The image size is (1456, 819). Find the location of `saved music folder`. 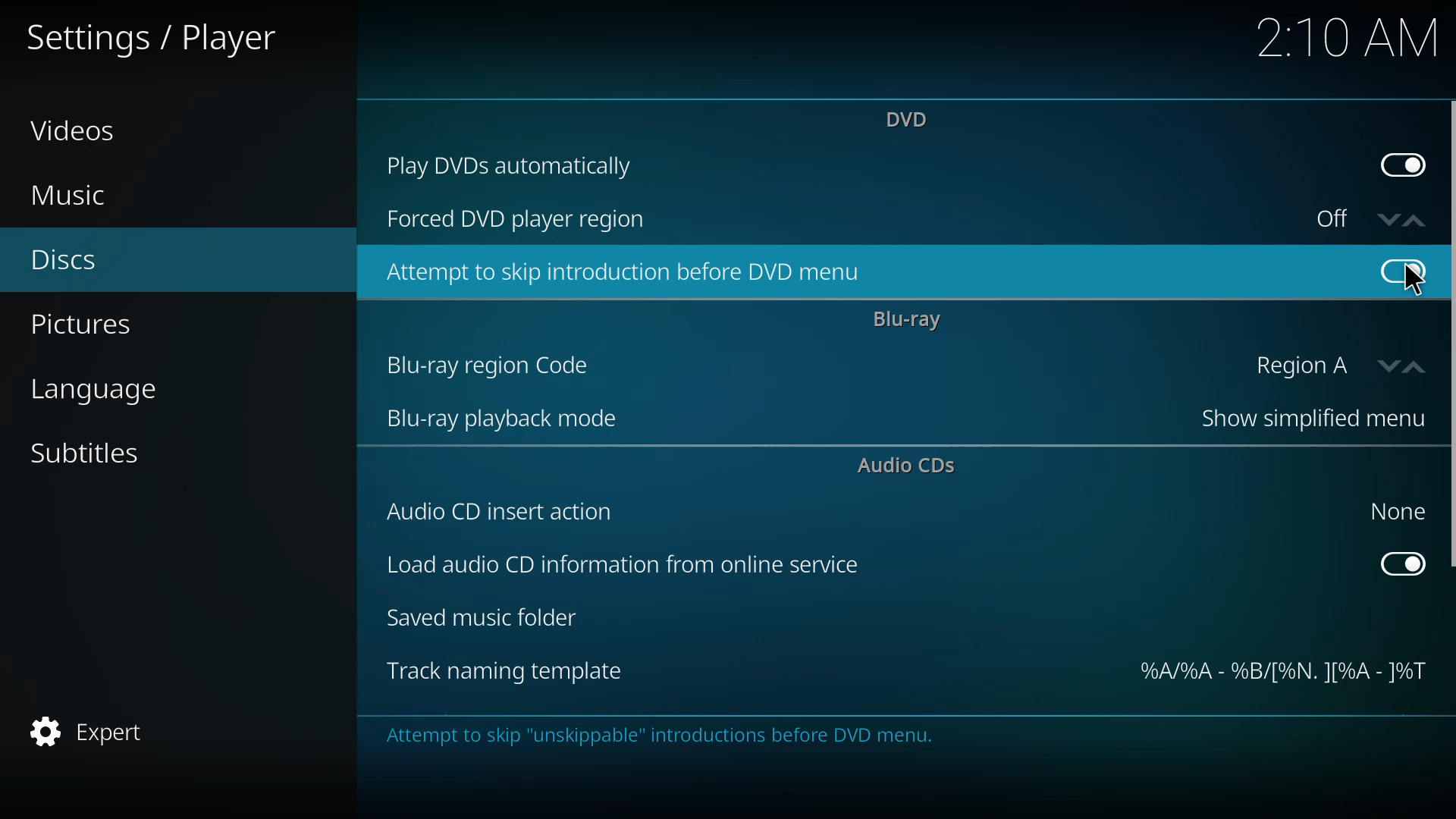

saved music folder is located at coordinates (481, 617).